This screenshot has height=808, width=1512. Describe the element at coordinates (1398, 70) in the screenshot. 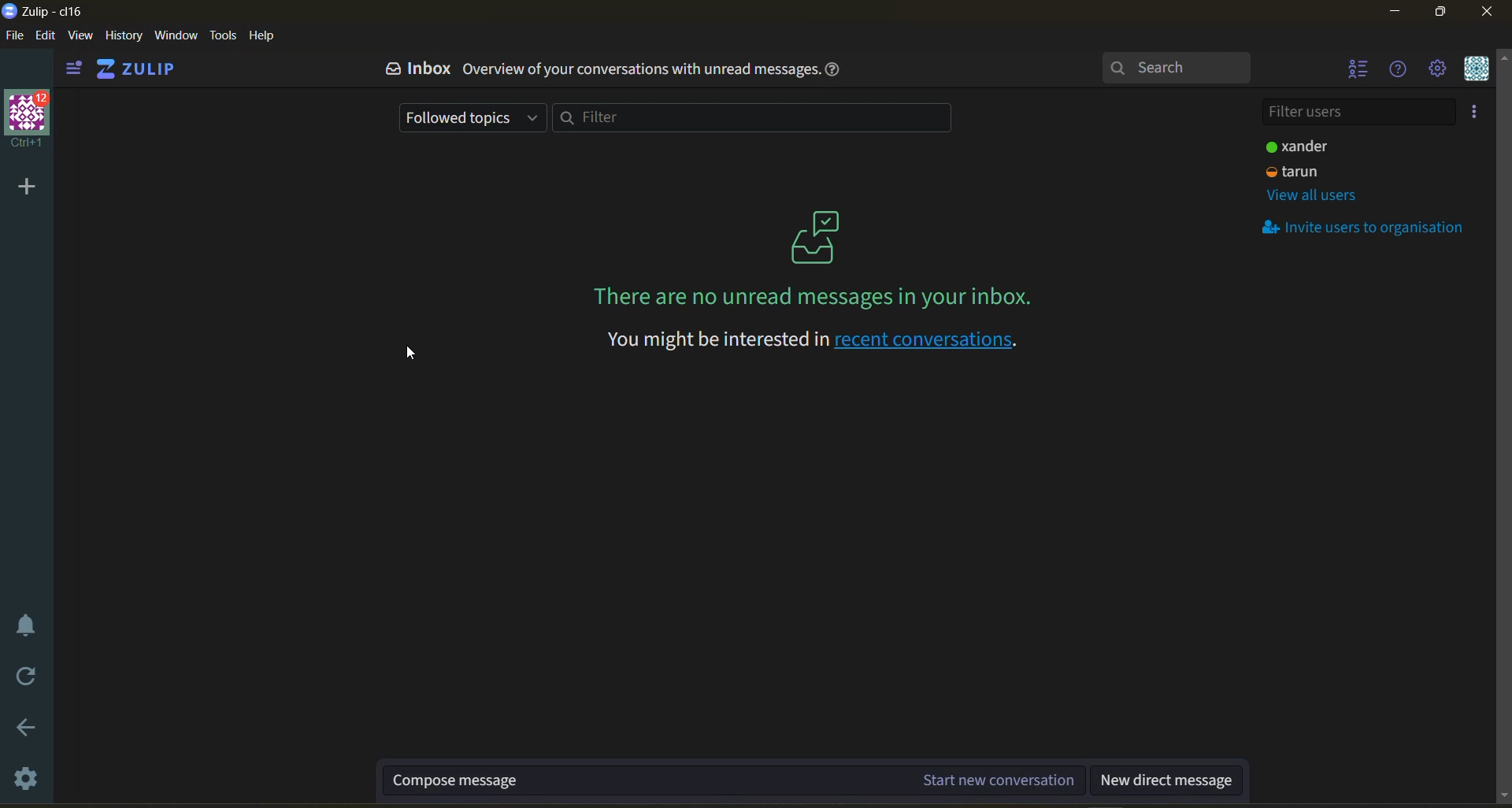

I see `help menu` at that location.